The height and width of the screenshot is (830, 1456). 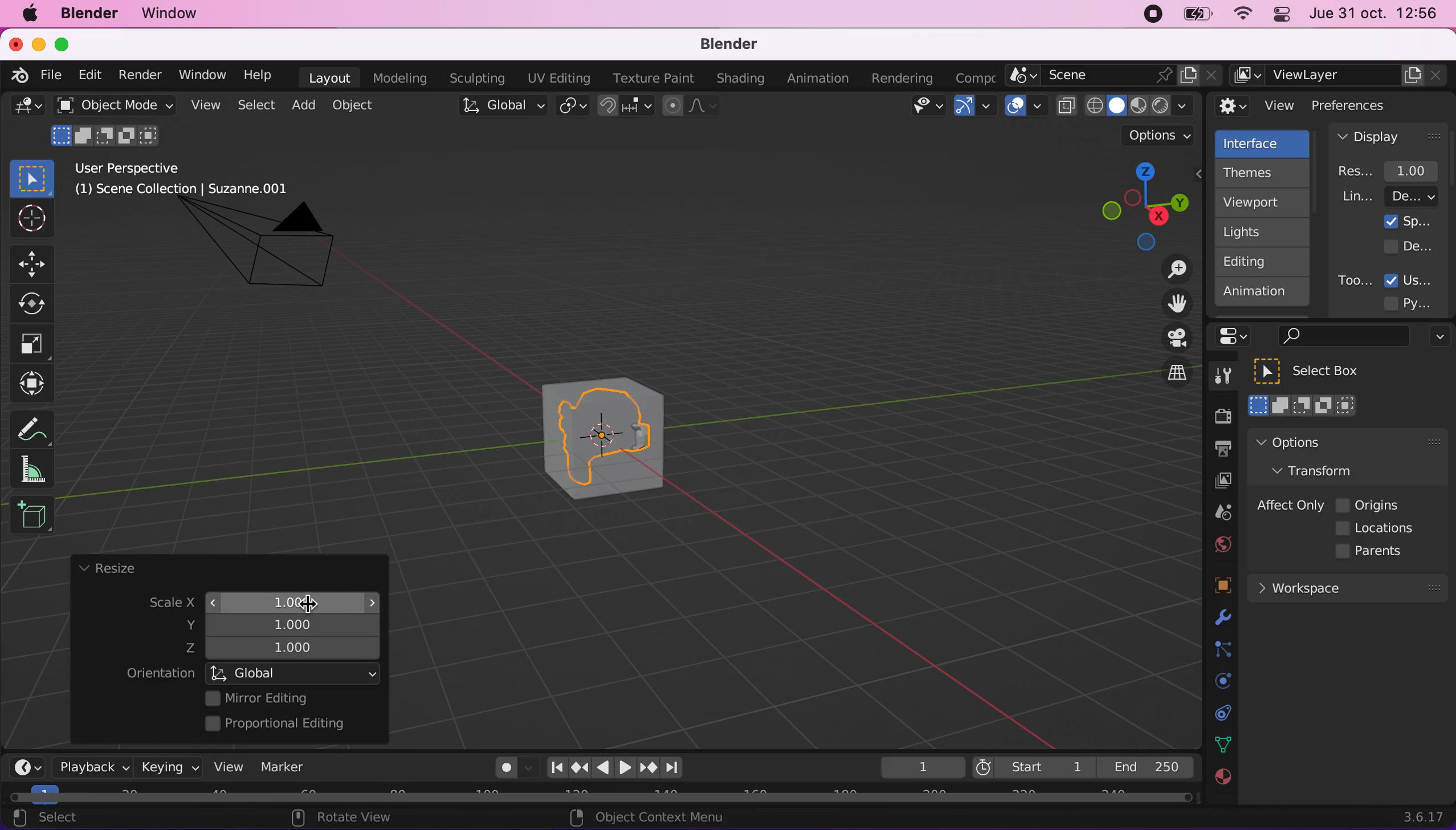 I want to click on 3.6.17, so click(x=1426, y=817).